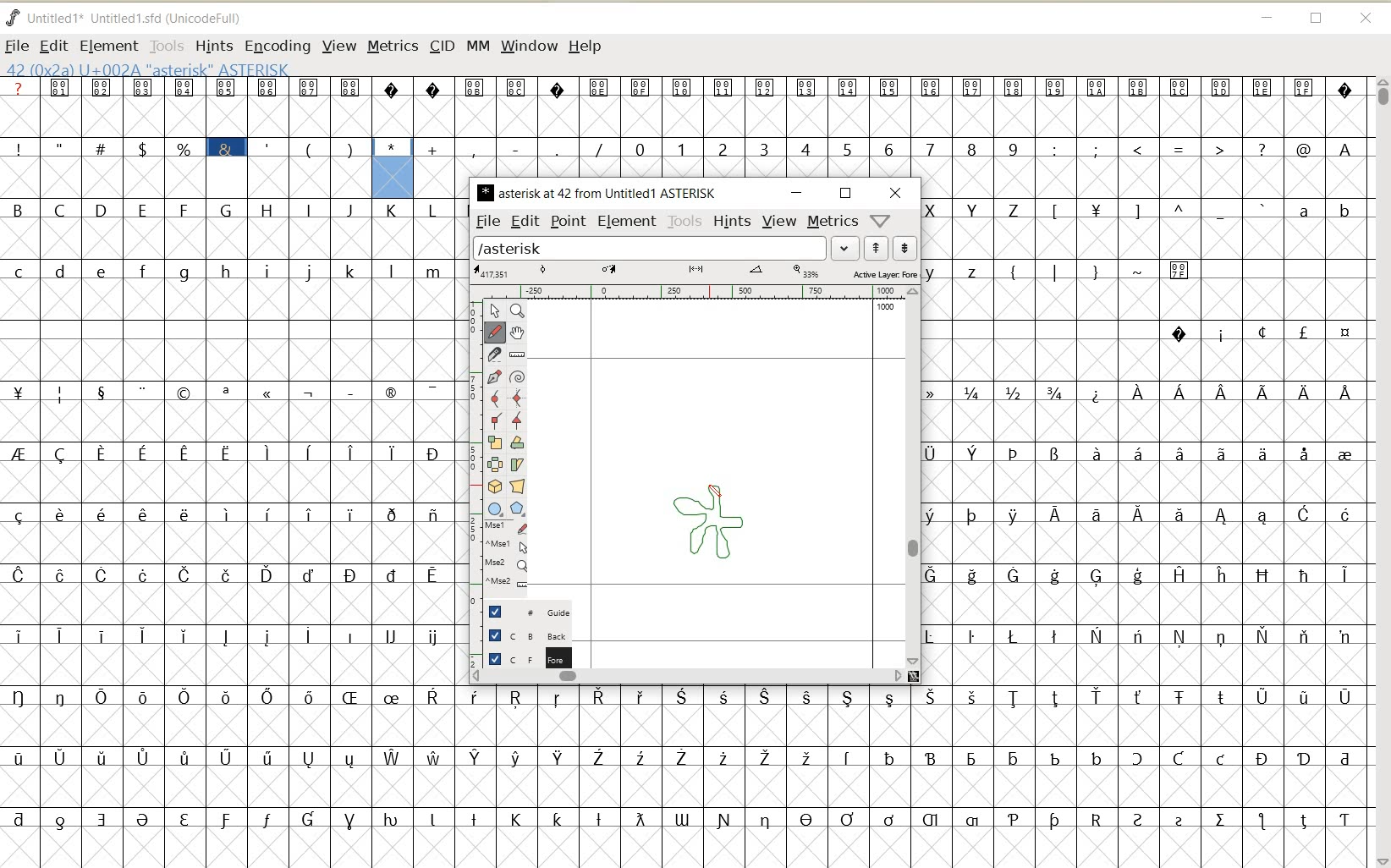 This screenshot has height=868, width=1391. What do you see at coordinates (689, 777) in the screenshot?
I see `GLYPHY CHARACTERS` at bounding box center [689, 777].